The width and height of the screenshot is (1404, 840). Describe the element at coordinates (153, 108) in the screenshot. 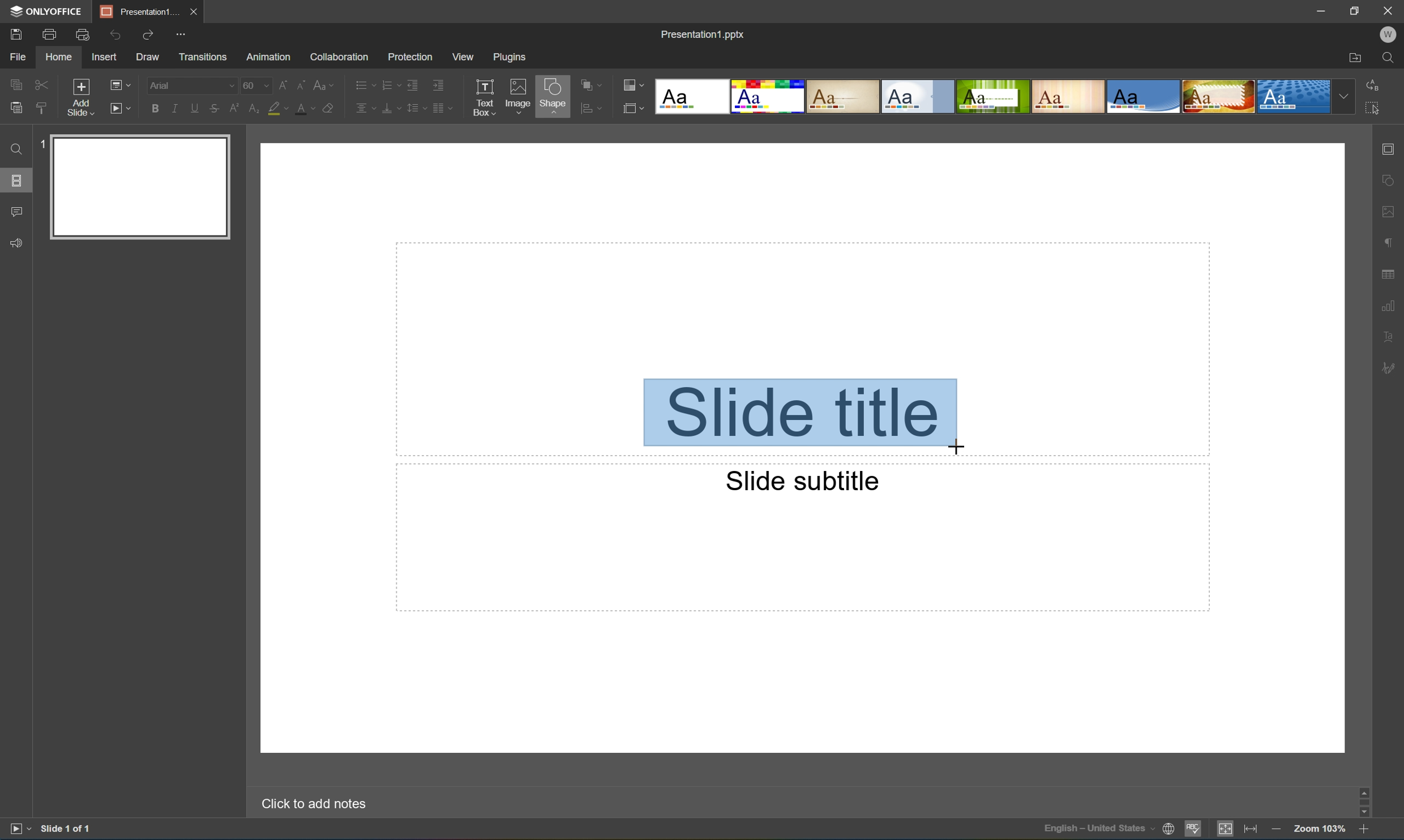

I see `Bold` at that location.